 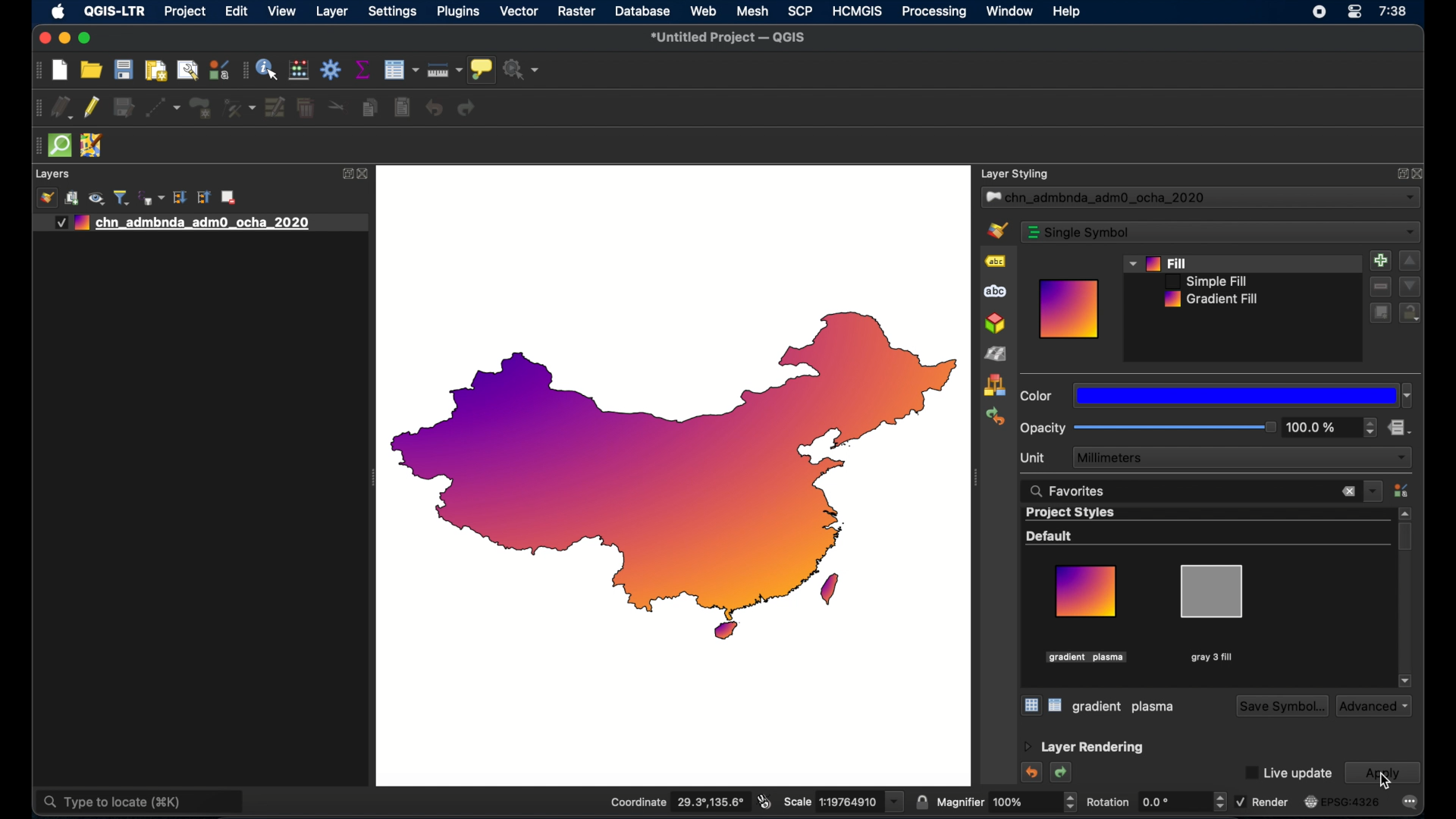 I want to click on add group, so click(x=72, y=199).